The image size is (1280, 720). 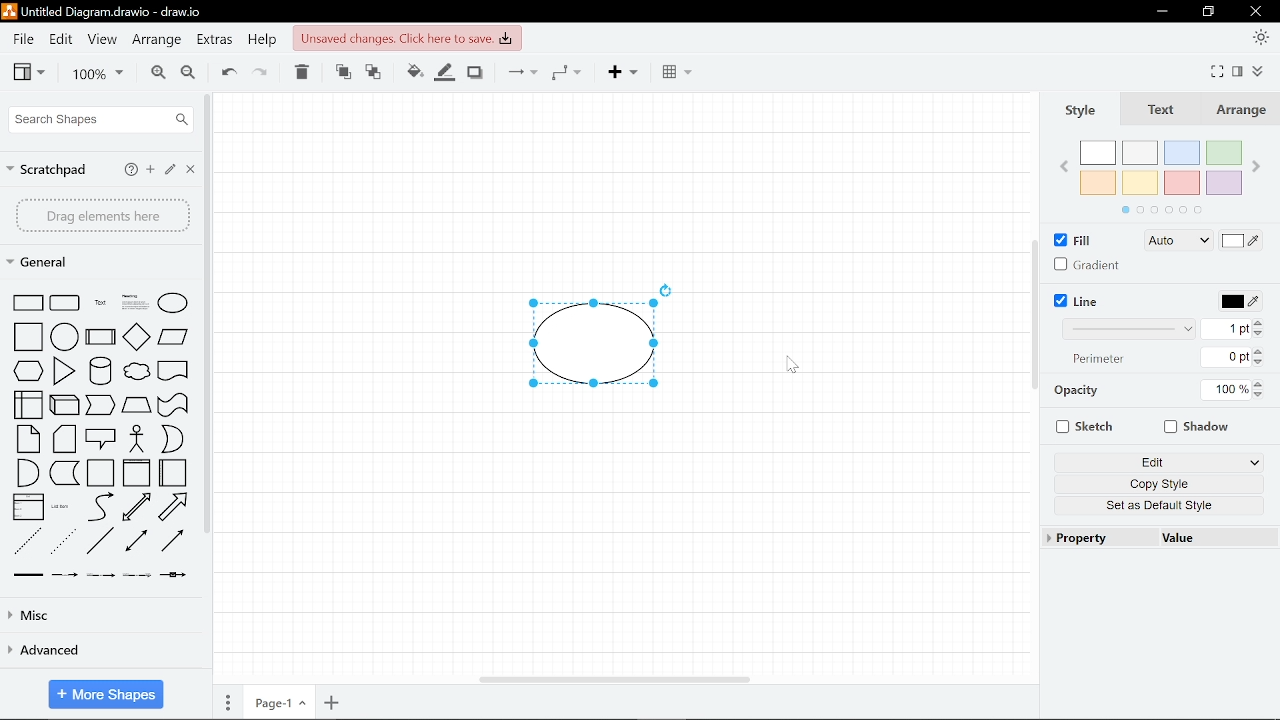 What do you see at coordinates (175, 337) in the screenshot?
I see `parallelogram` at bounding box center [175, 337].